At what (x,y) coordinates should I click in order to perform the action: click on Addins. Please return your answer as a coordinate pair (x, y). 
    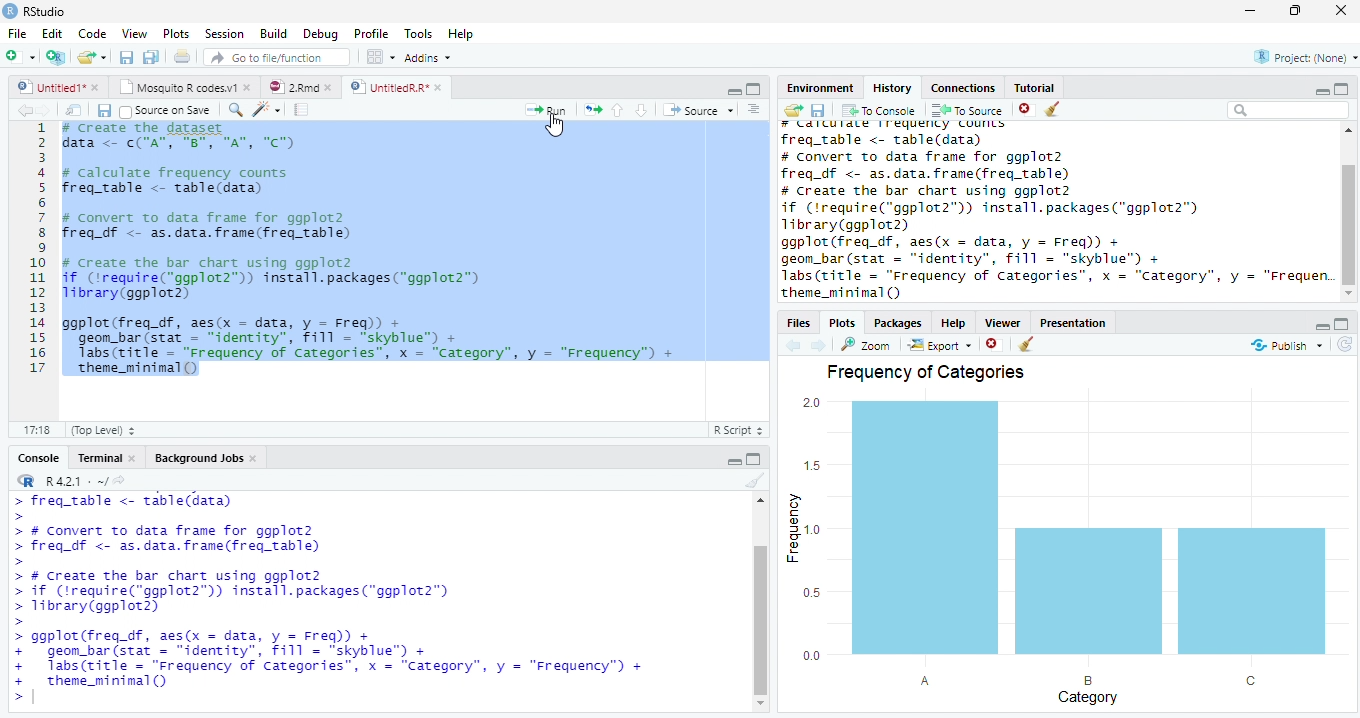
    Looking at the image, I should click on (430, 58).